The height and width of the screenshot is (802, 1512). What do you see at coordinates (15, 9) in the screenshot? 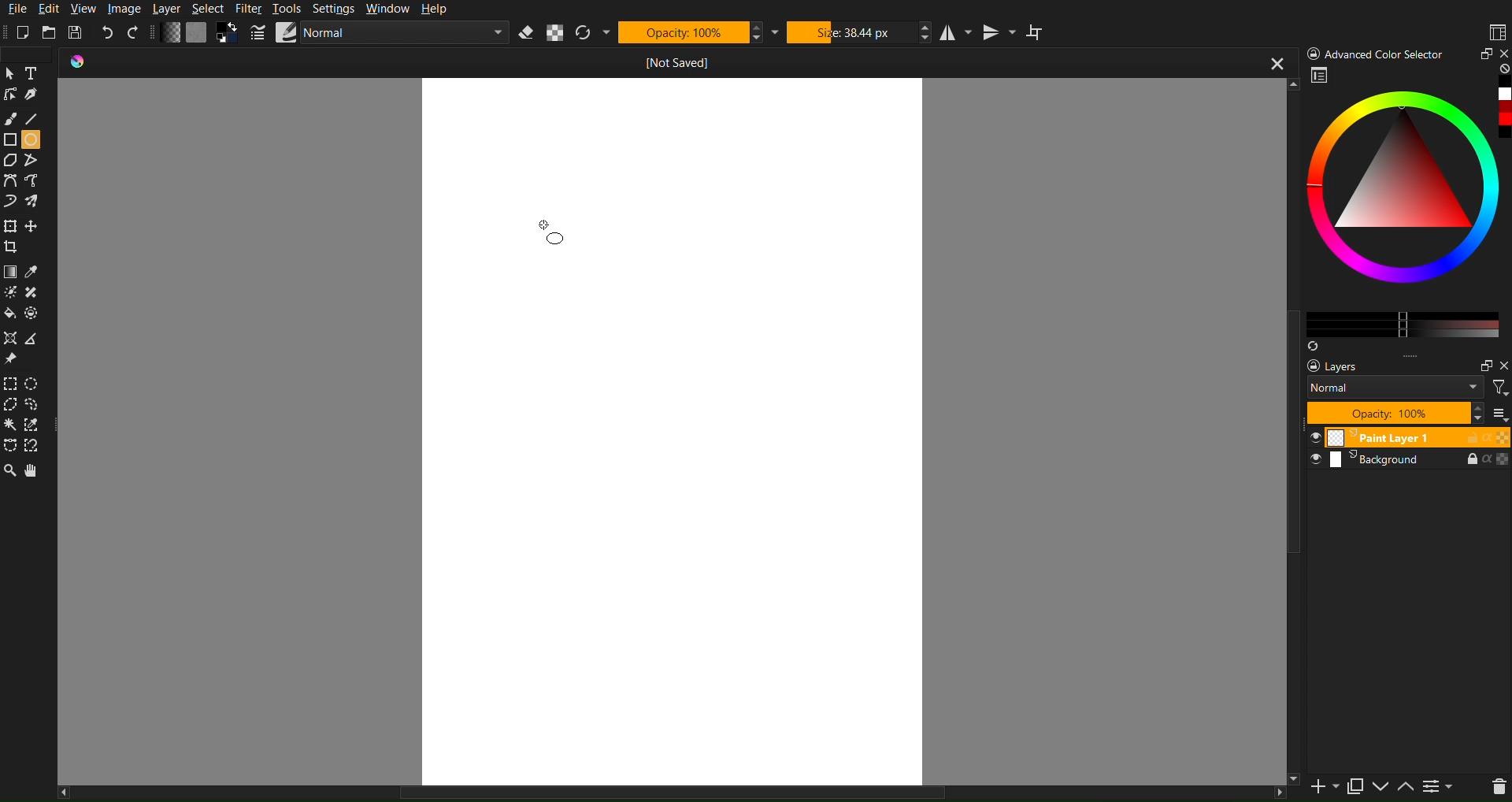
I see `File` at bounding box center [15, 9].